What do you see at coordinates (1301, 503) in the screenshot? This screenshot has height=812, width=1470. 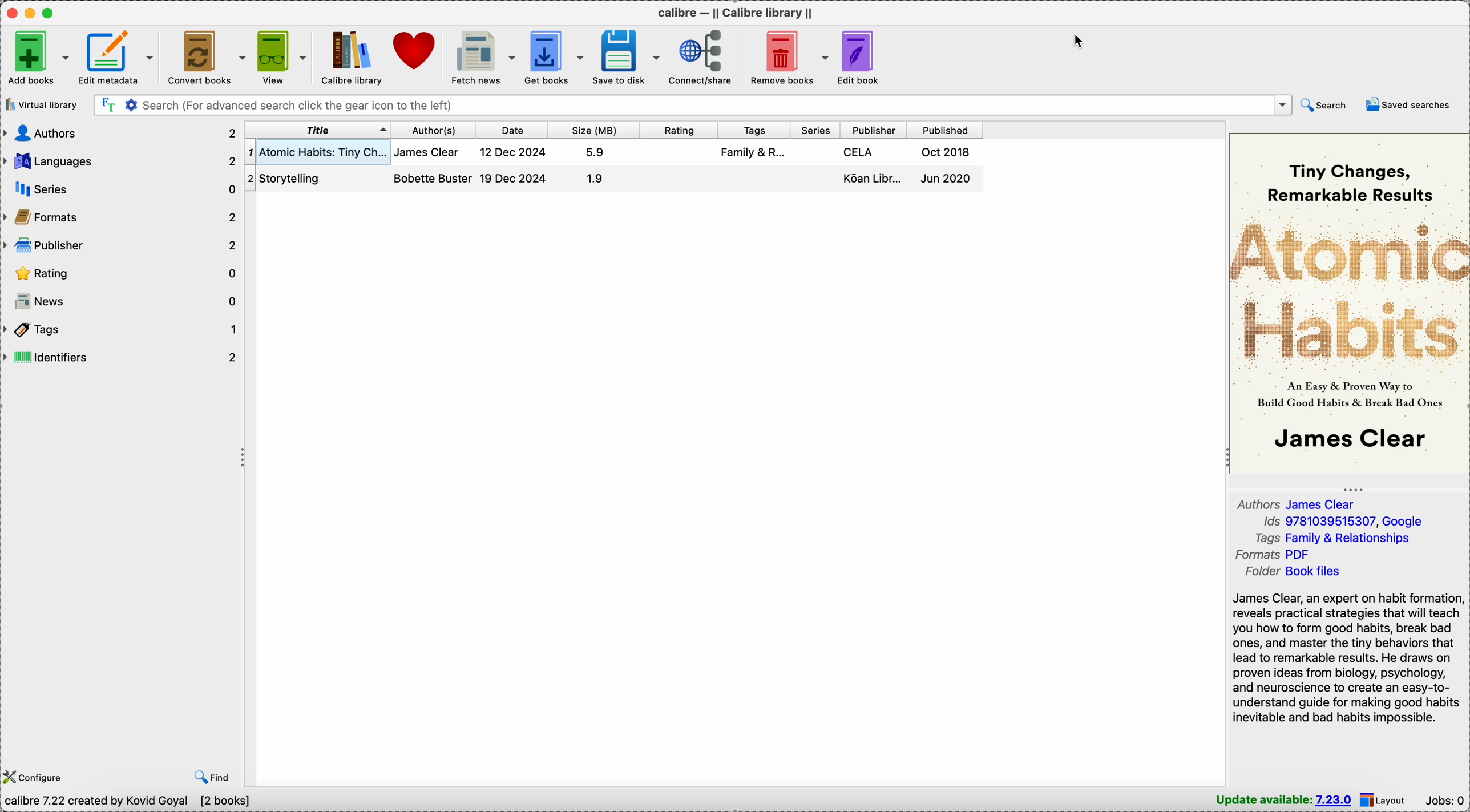 I see `authors: james clear` at bounding box center [1301, 503].